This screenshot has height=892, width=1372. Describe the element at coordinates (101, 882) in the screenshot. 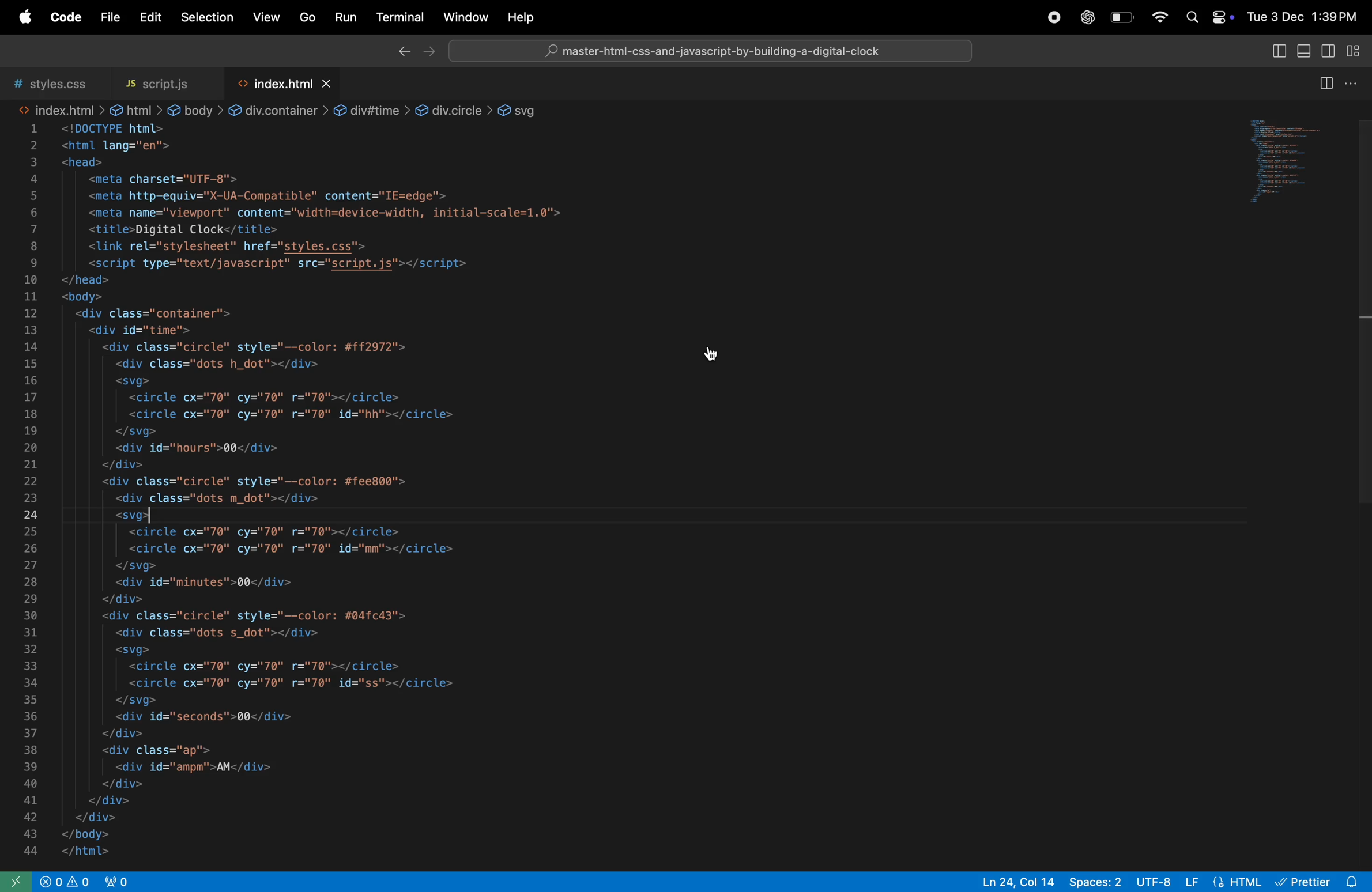

I see `no ports opned` at that location.